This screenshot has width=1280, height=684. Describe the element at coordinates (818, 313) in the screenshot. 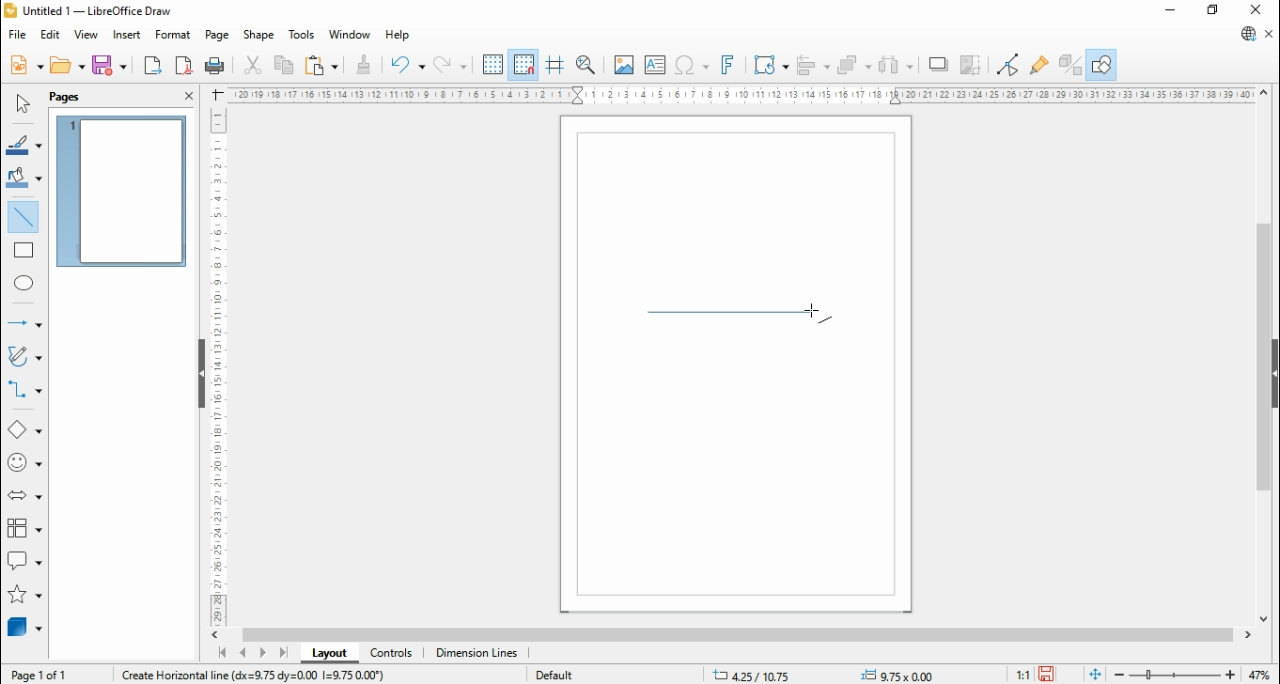

I see `mouse pointer` at that location.